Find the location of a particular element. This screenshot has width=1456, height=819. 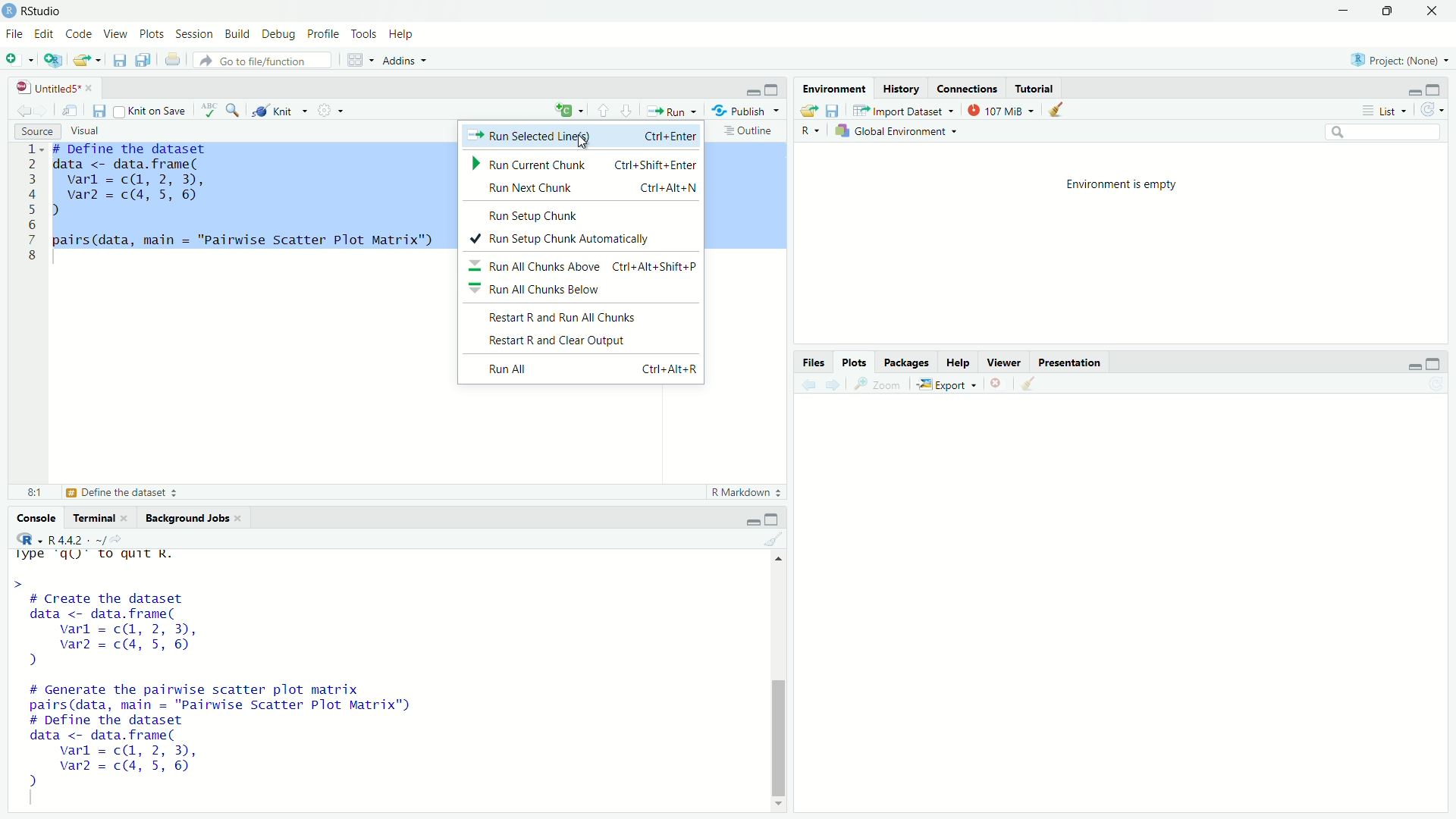

Source is located at coordinates (37, 130).